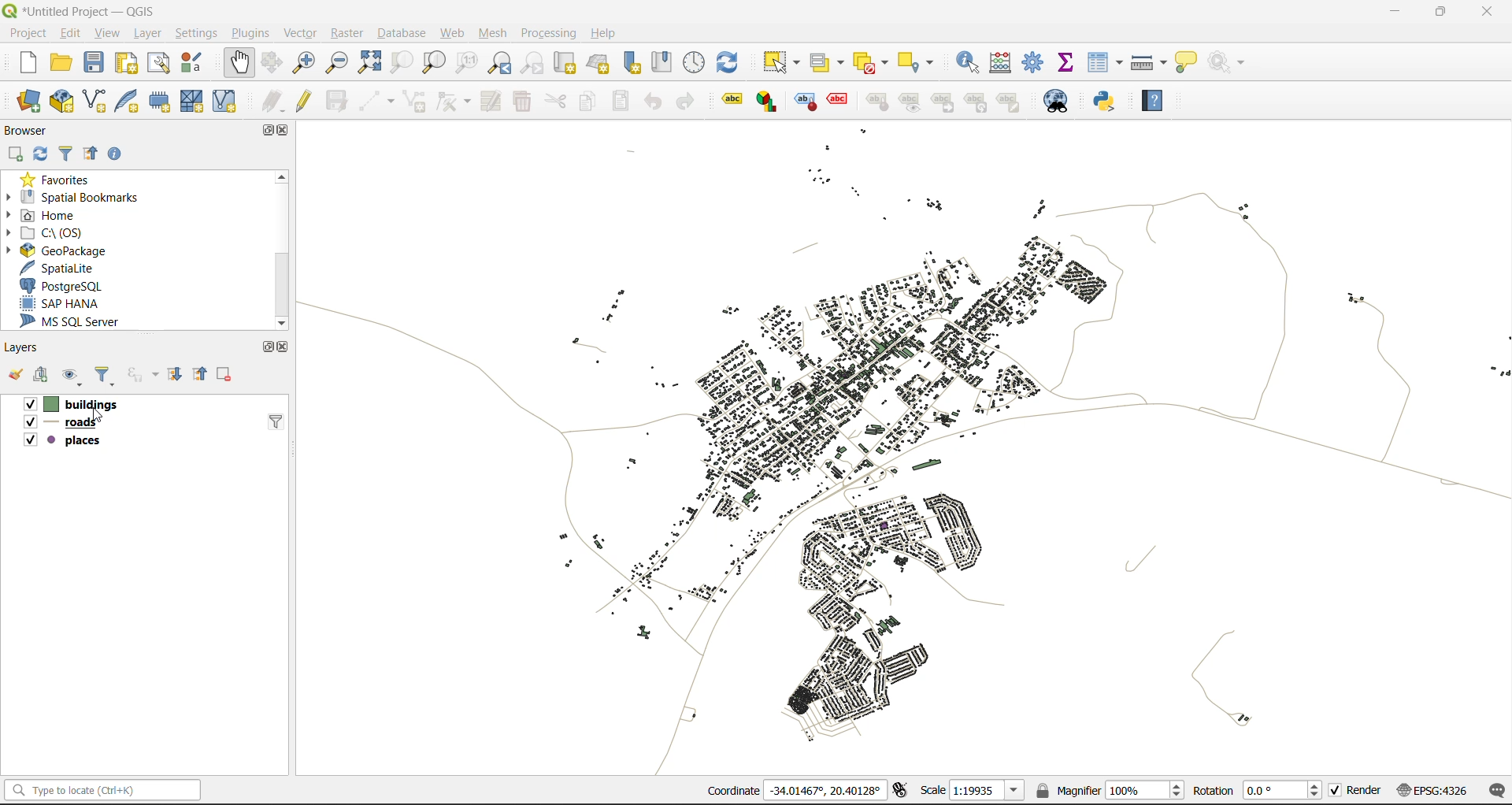 The image size is (1512, 805). Describe the element at coordinates (454, 102) in the screenshot. I see `vertex tools` at that location.